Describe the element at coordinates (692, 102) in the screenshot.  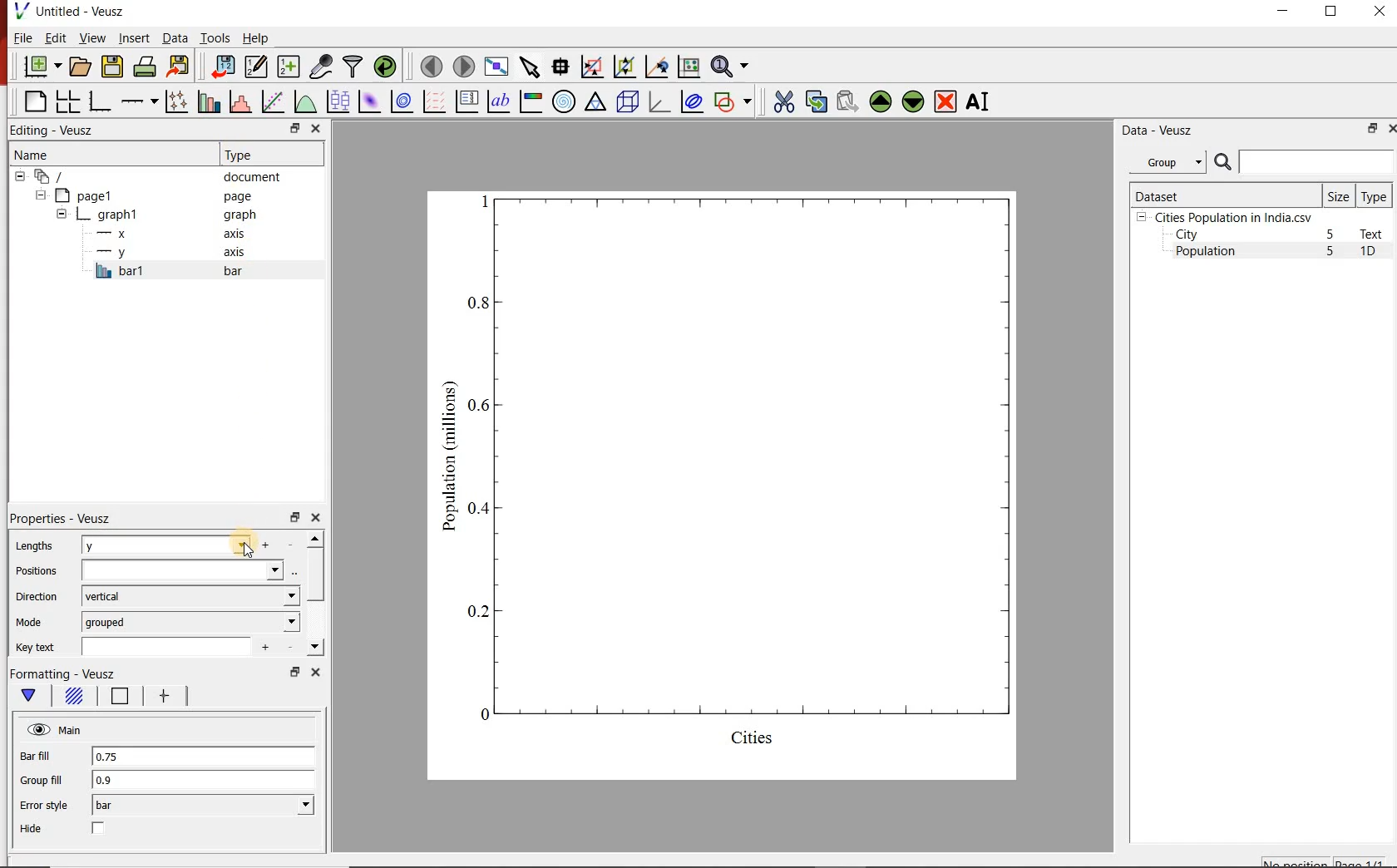
I see `plot covariance ellipses` at that location.